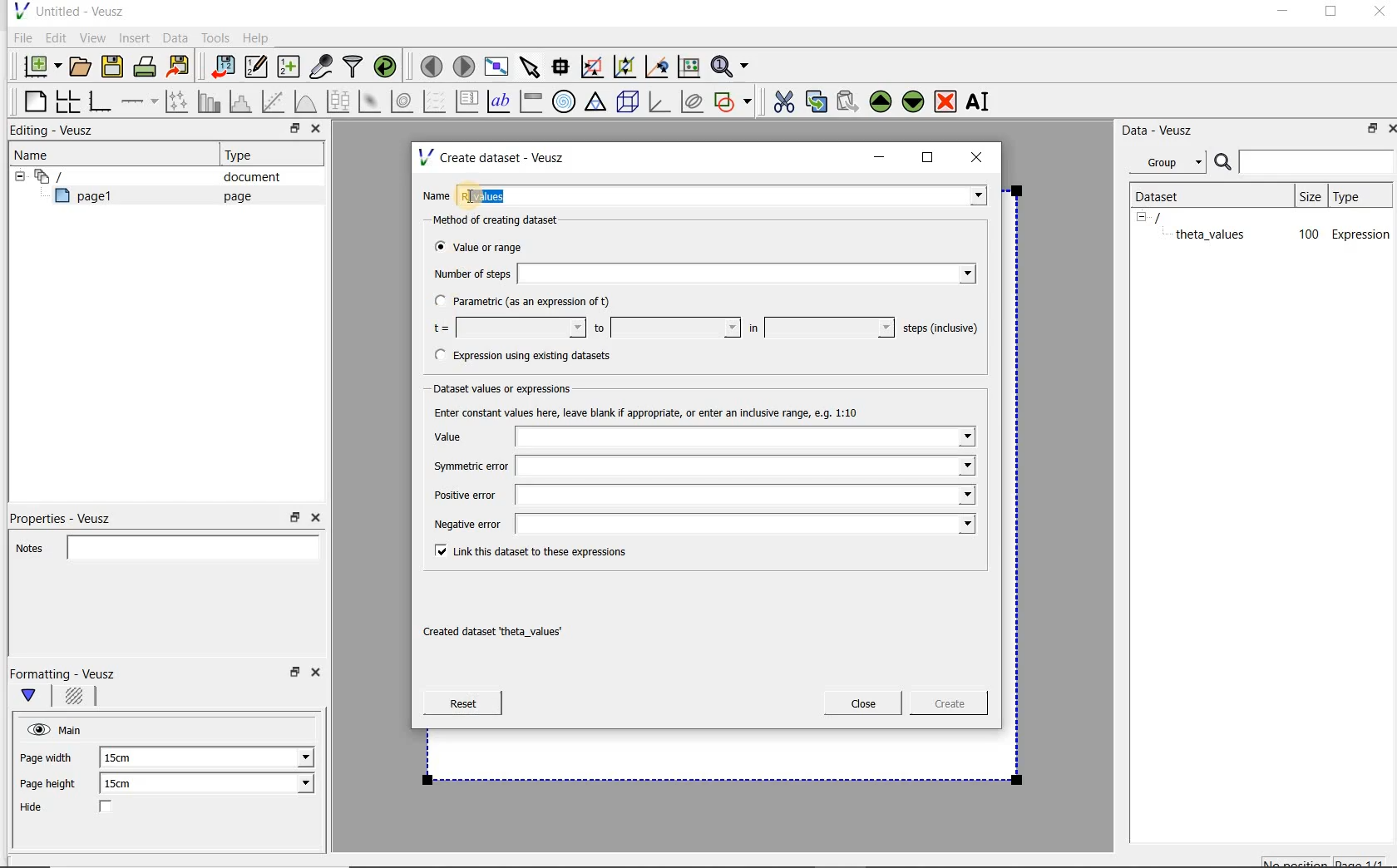 The height and width of the screenshot is (868, 1397). I want to click on Number of steps, so click(699, 274).